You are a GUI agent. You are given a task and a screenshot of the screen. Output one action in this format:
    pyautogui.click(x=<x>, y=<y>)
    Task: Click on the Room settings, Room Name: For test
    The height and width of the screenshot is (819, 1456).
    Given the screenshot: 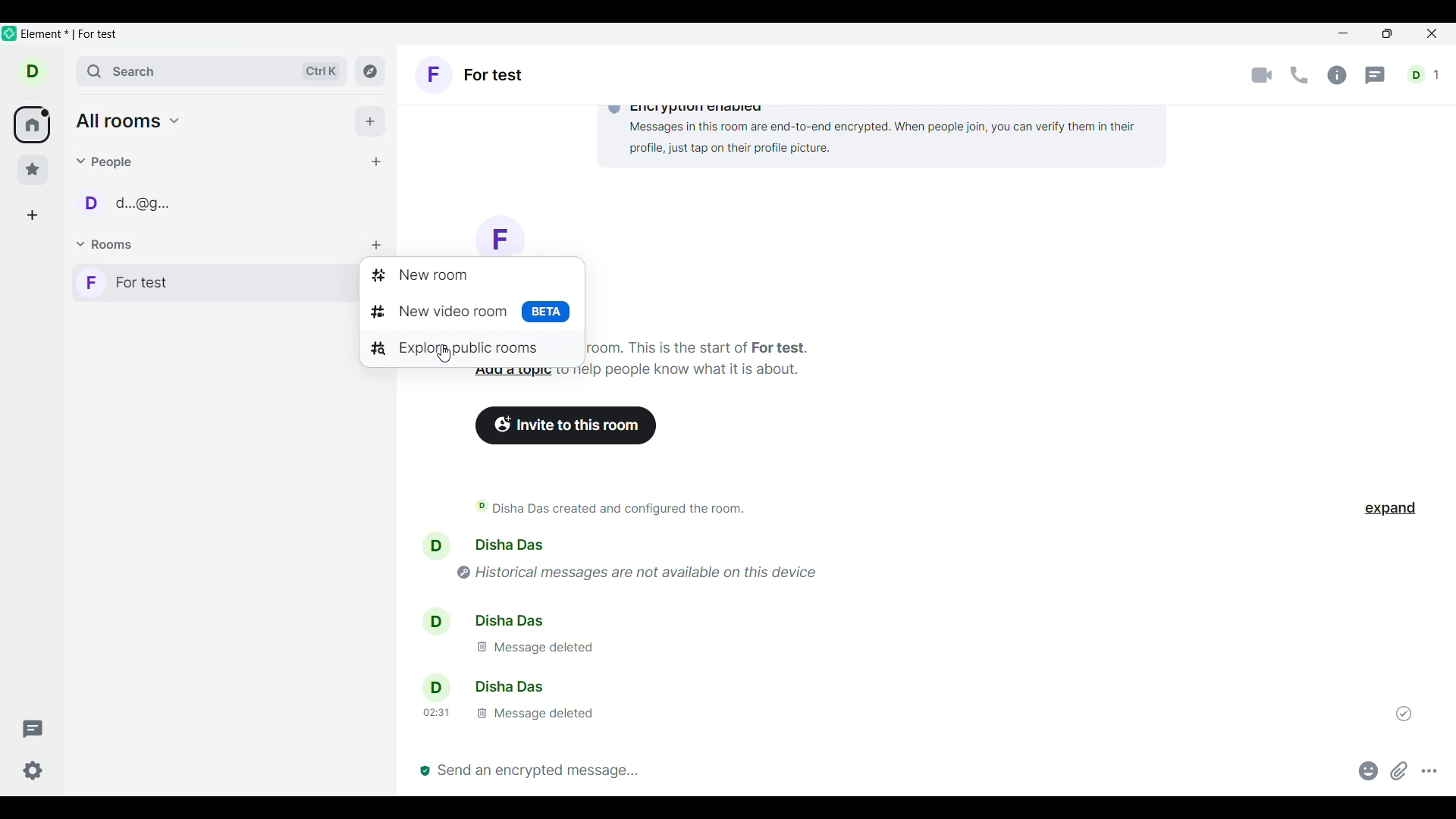 What is the action you would take?
    pyautogui.click(x=472, y=74)
    